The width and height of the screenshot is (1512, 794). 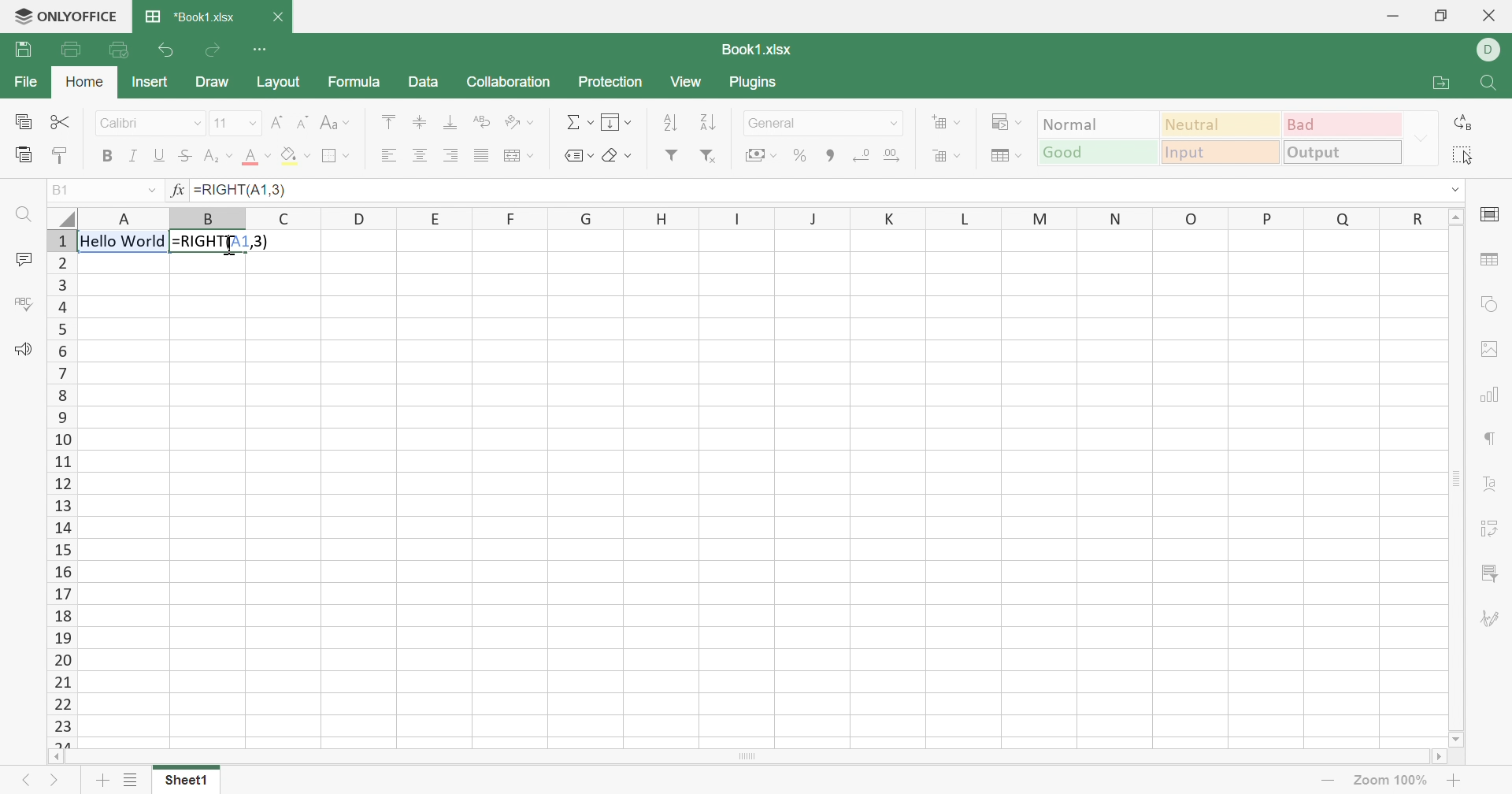 What do you see at coordinates (1455, 479) in the screenshot?
I see `Scroll Bar` at bounding box center [1455, 479].